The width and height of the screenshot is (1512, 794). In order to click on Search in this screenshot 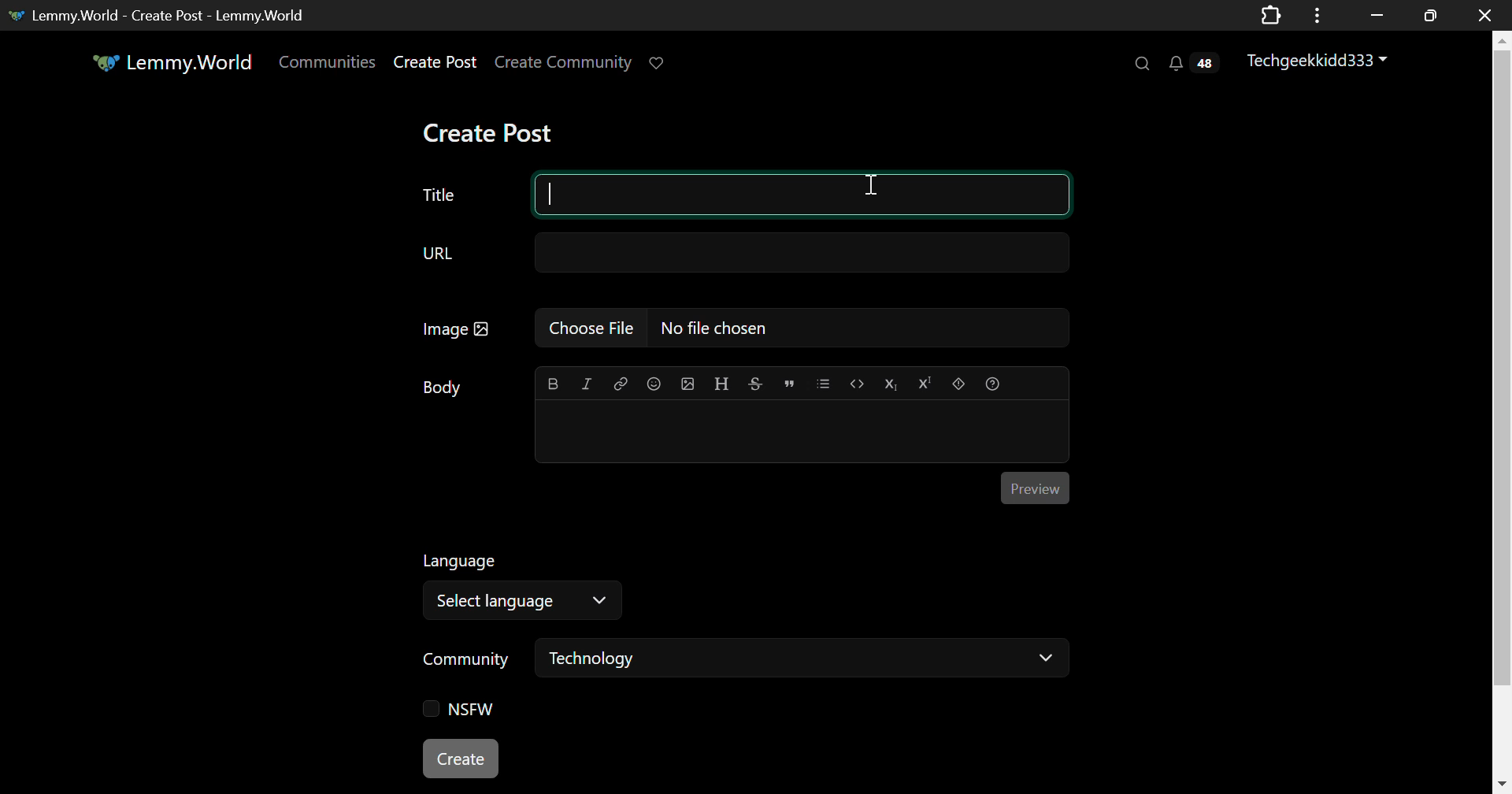, I will do `click(1144, 65)`.